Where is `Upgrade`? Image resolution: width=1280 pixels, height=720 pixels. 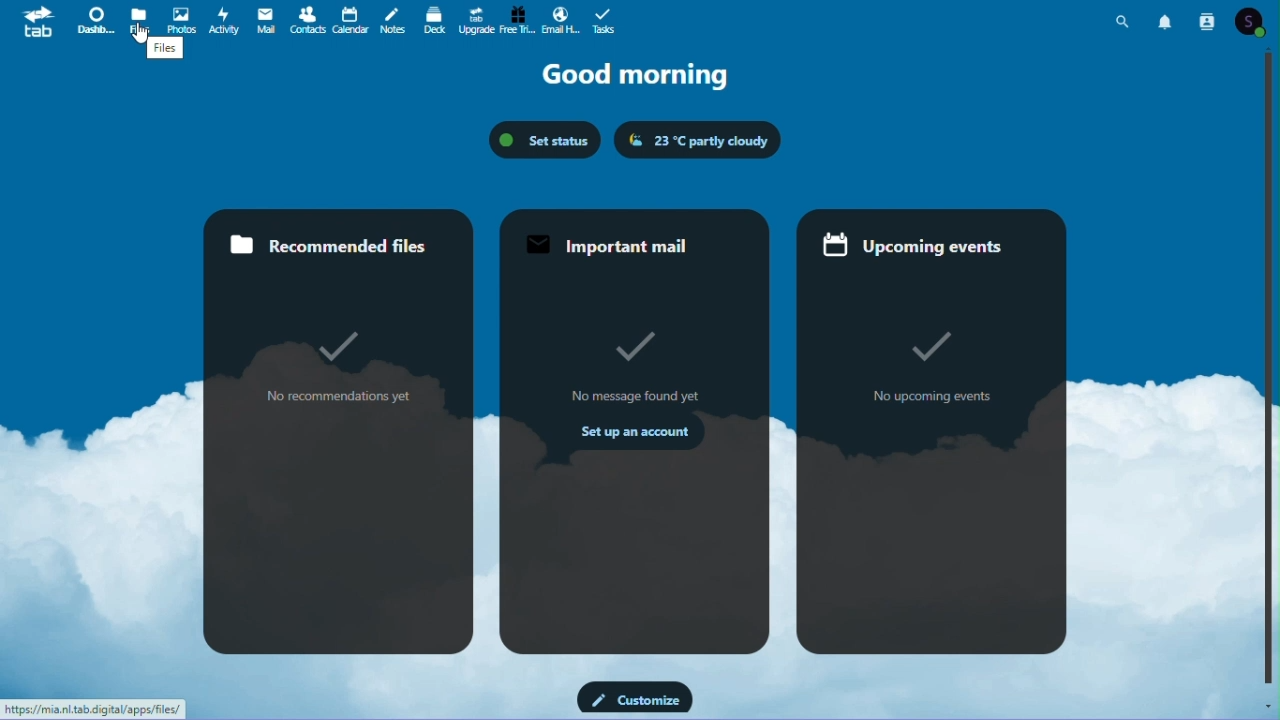
Upgrade is located at coordinates (475, 22).